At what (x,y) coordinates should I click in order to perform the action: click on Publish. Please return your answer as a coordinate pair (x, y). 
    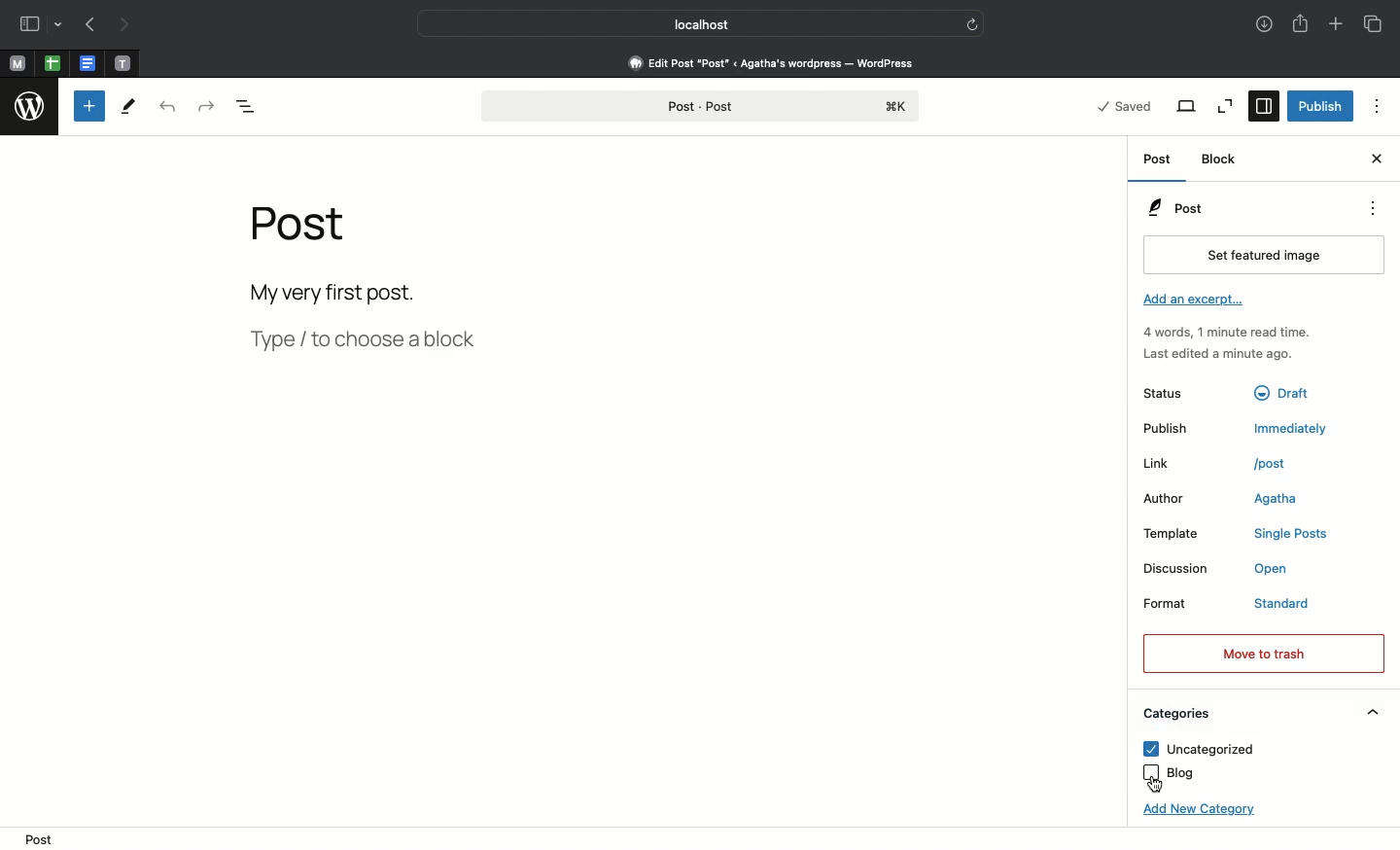
    Looking at the image, I should click on (1320, 104).